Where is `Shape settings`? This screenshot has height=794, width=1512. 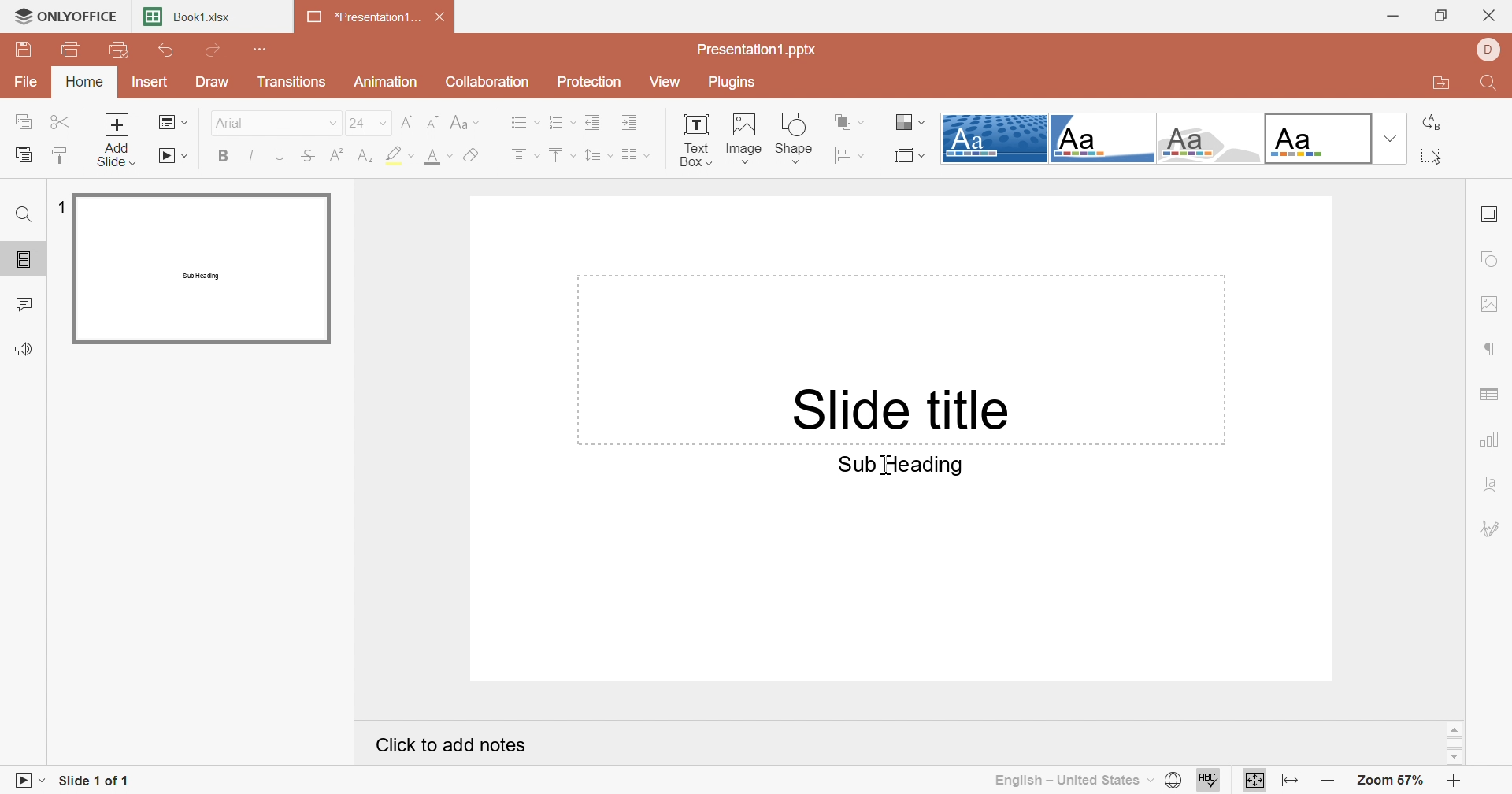 Shape settings is located at coordinates (1492, 258).